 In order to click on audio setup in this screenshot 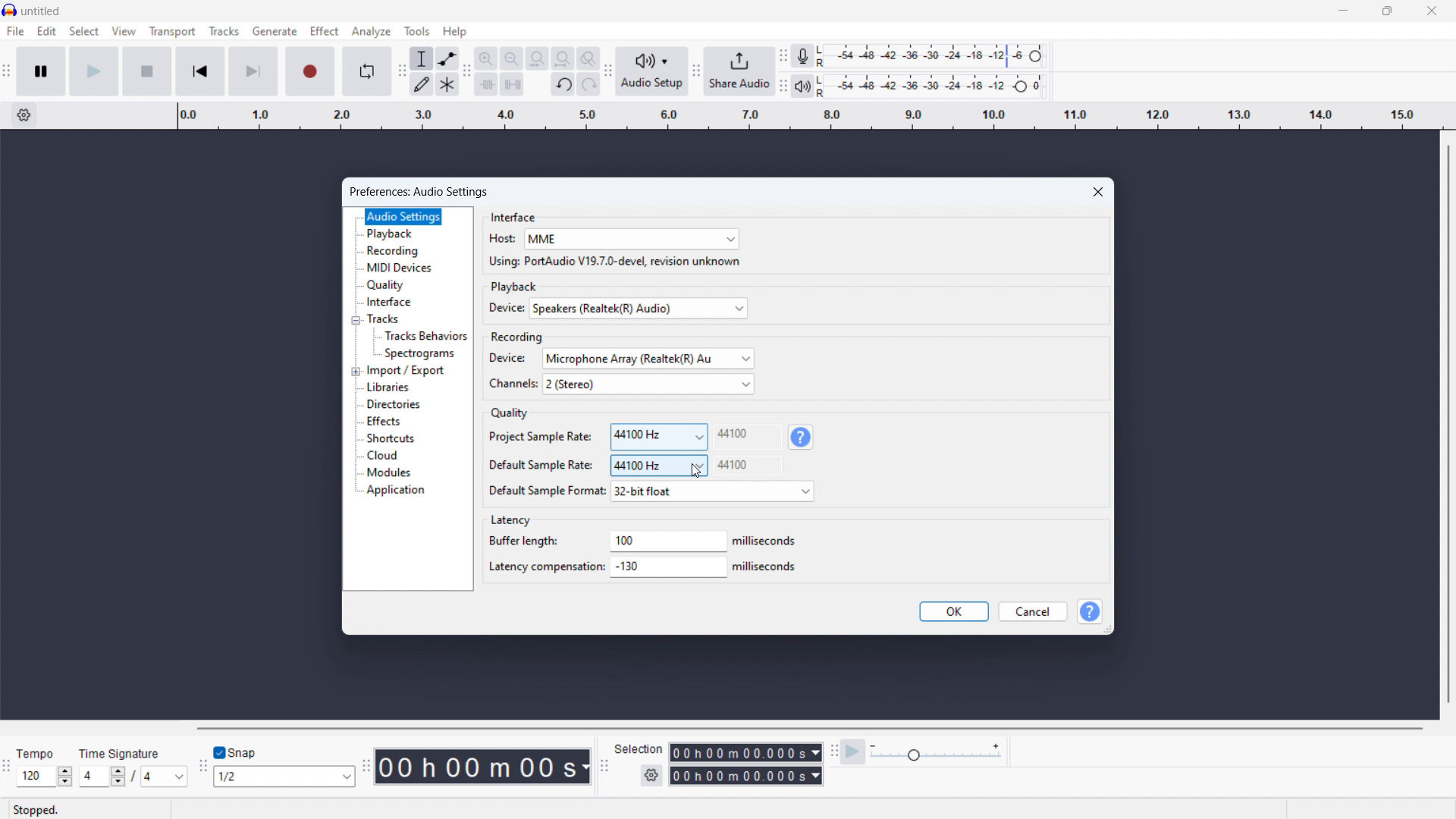, I will do `click(651, 71)`.